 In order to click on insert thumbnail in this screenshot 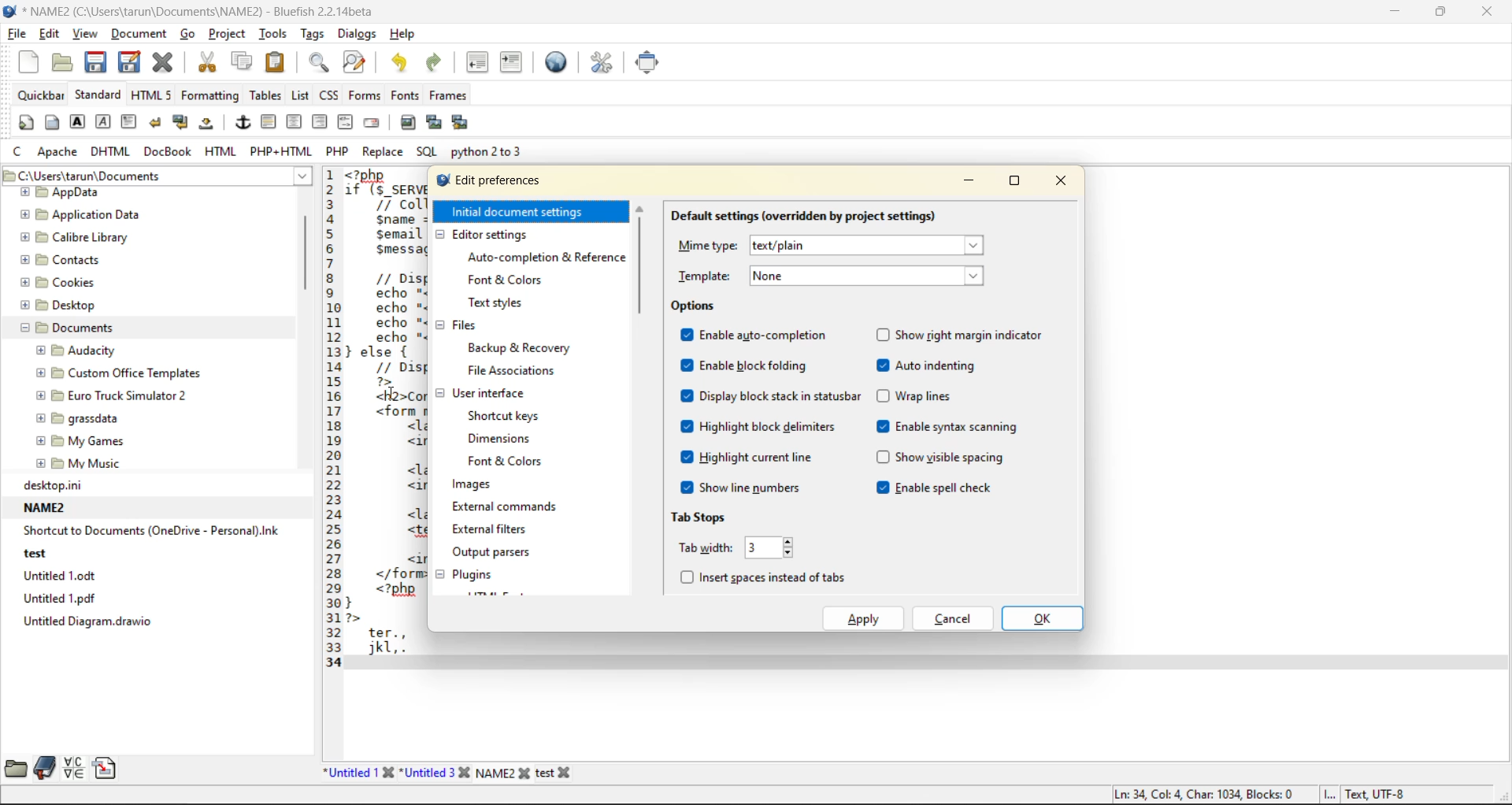, I will do `click(433, 121)`.